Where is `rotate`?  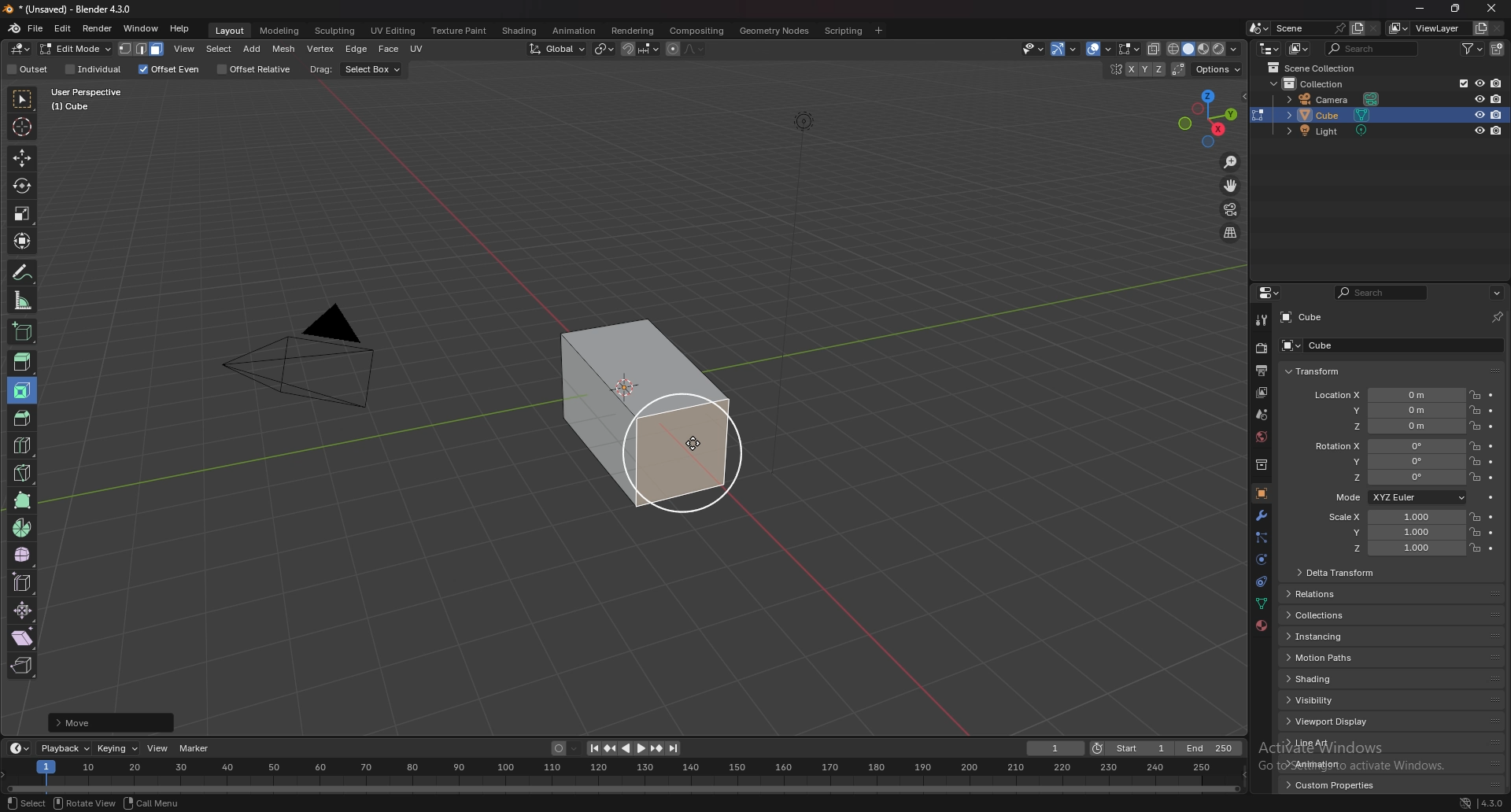 rotate is located at coordinates (22, 186).